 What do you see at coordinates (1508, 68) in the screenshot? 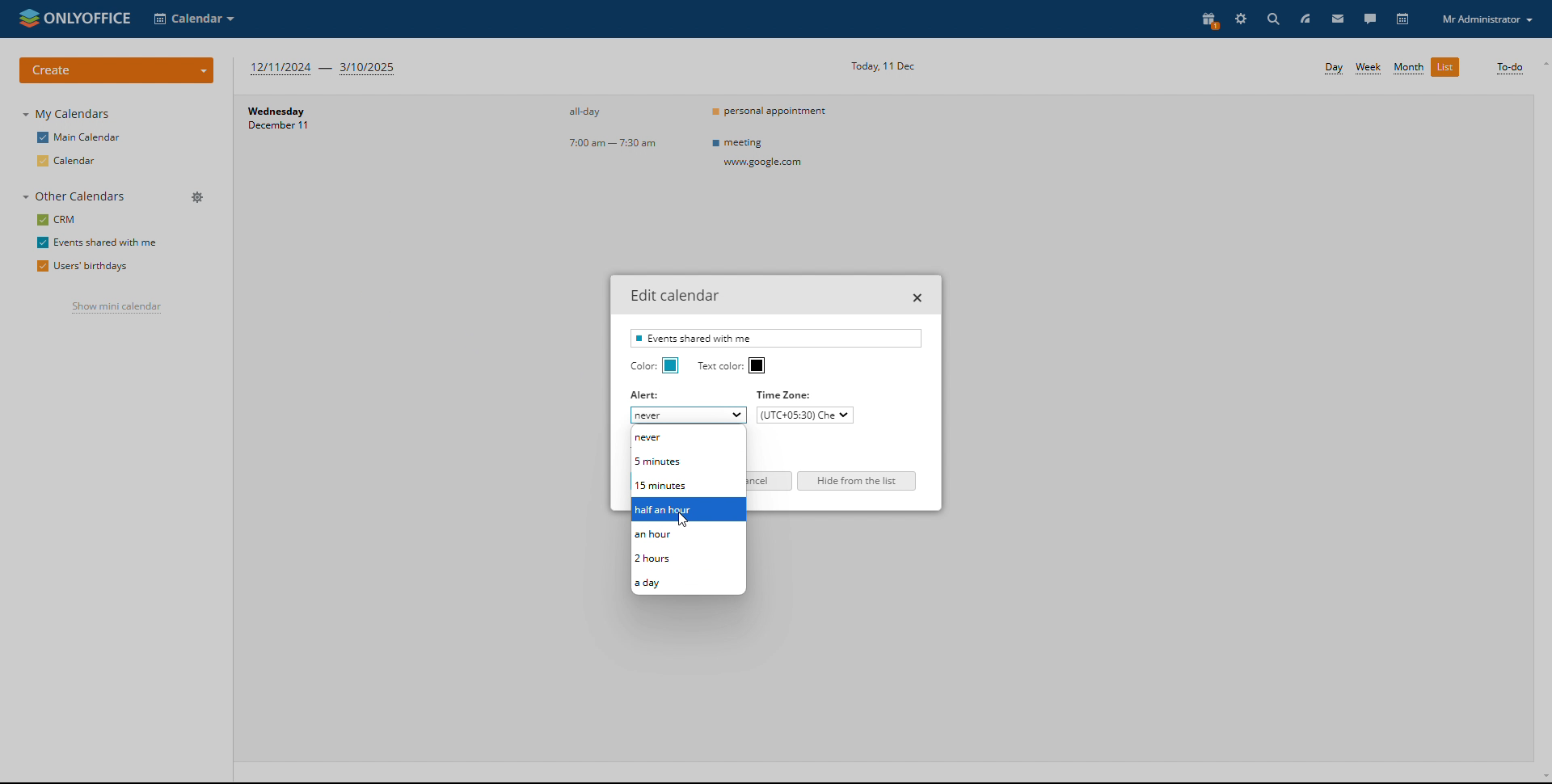
I see `to-do` at bounding box center [1508, 68].